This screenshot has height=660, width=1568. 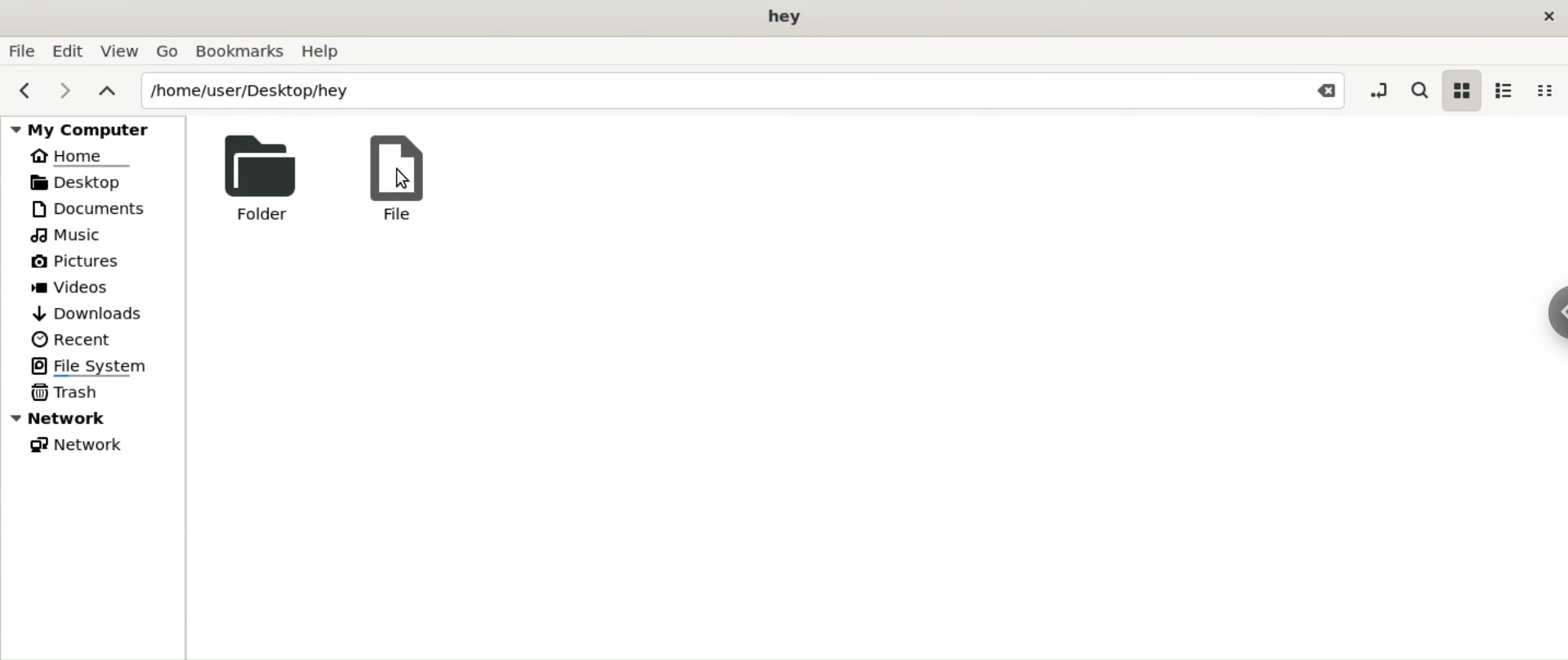 What do you see at coordinates (1463, 93) in the screenshot?
I see `icon view` at bounding box center [1463, 93].